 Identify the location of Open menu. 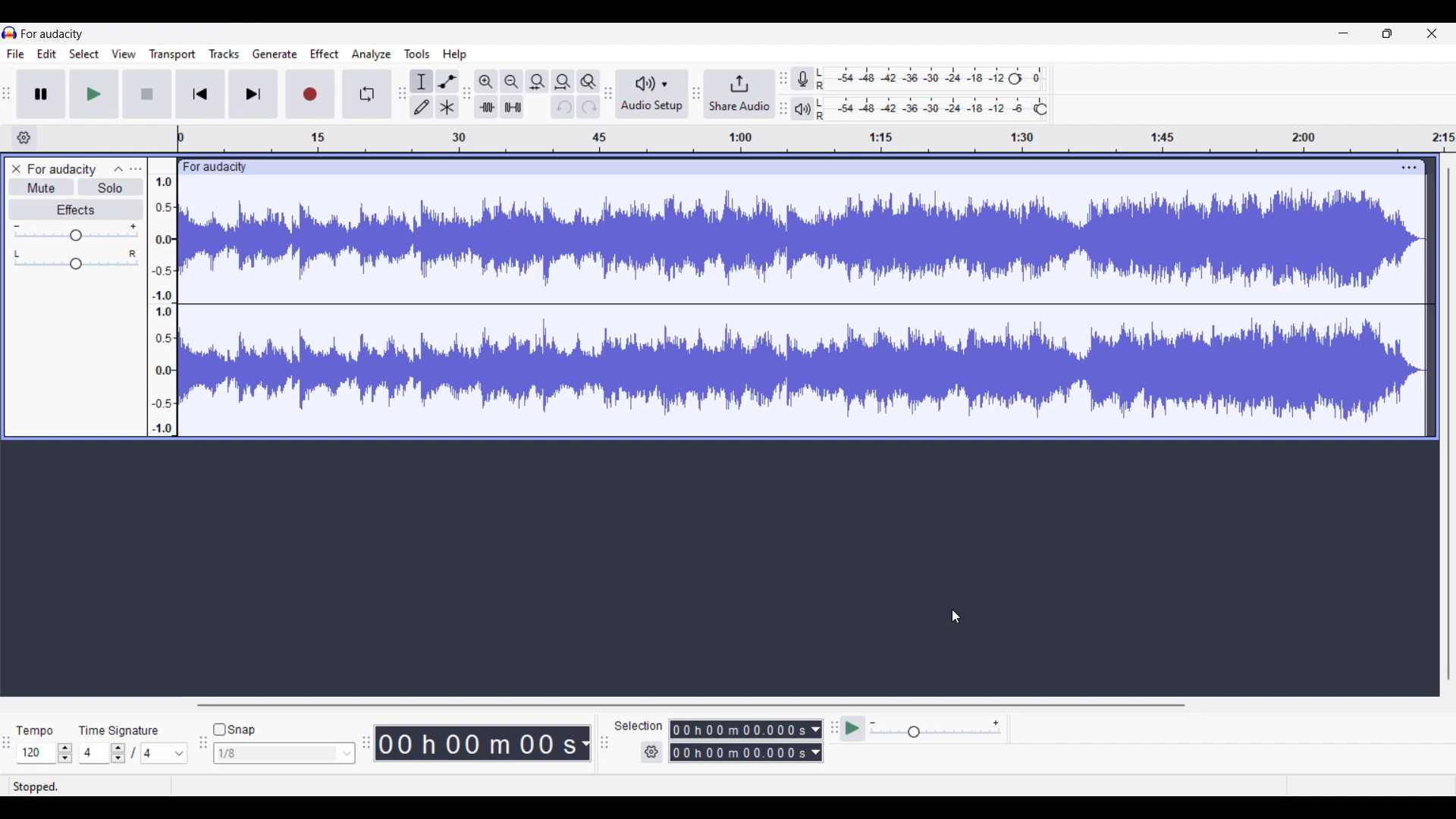
(136, 169).